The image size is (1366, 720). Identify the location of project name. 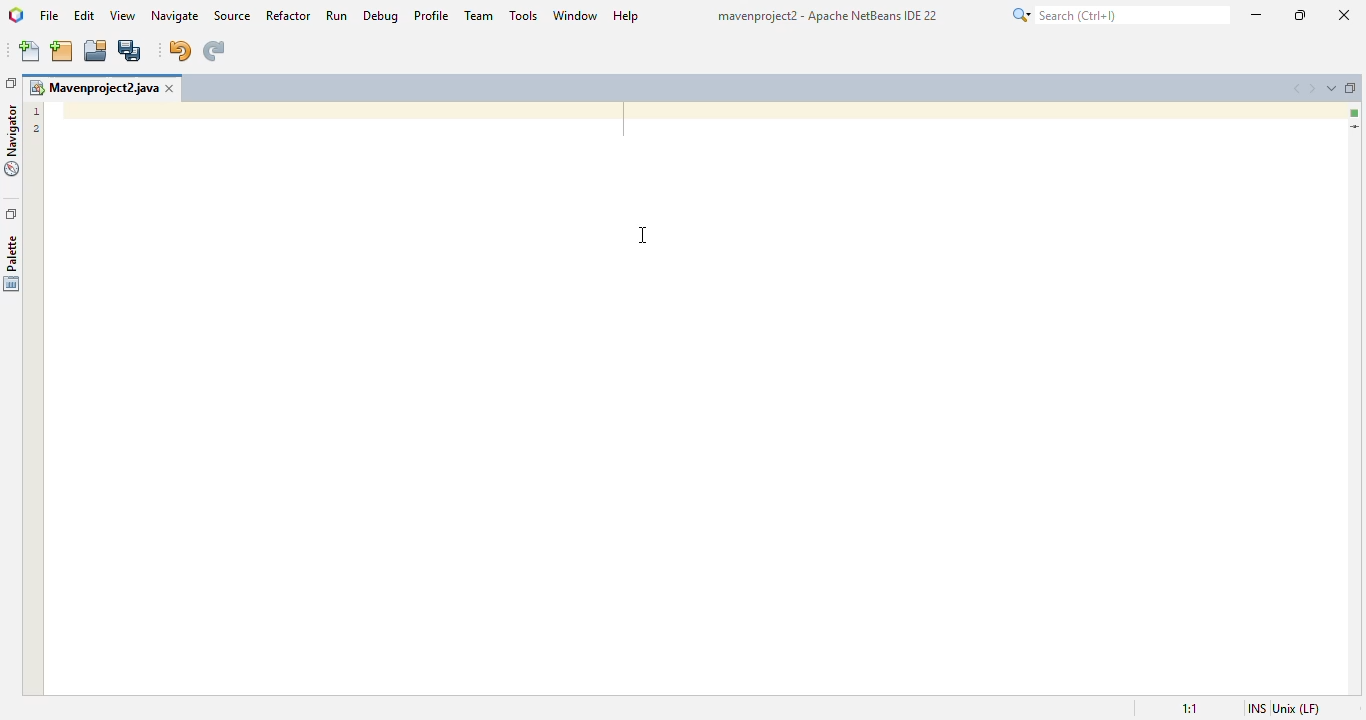
(93, 87).